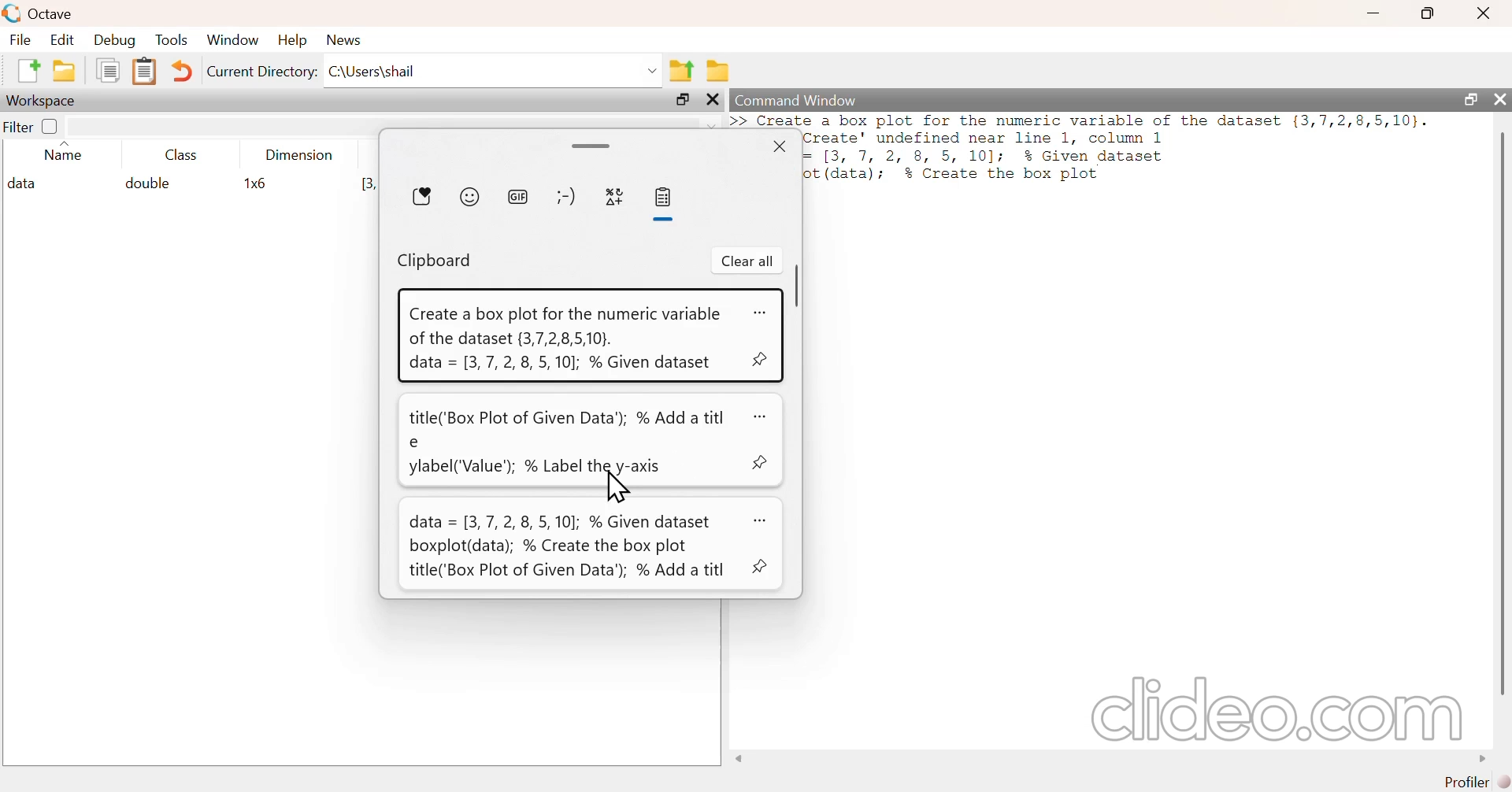 Image resolution: width=1512 pixels, height=792 pixels. Describe the element at coordinates (765, 416) in the screenshot. I see `more options` at that location.